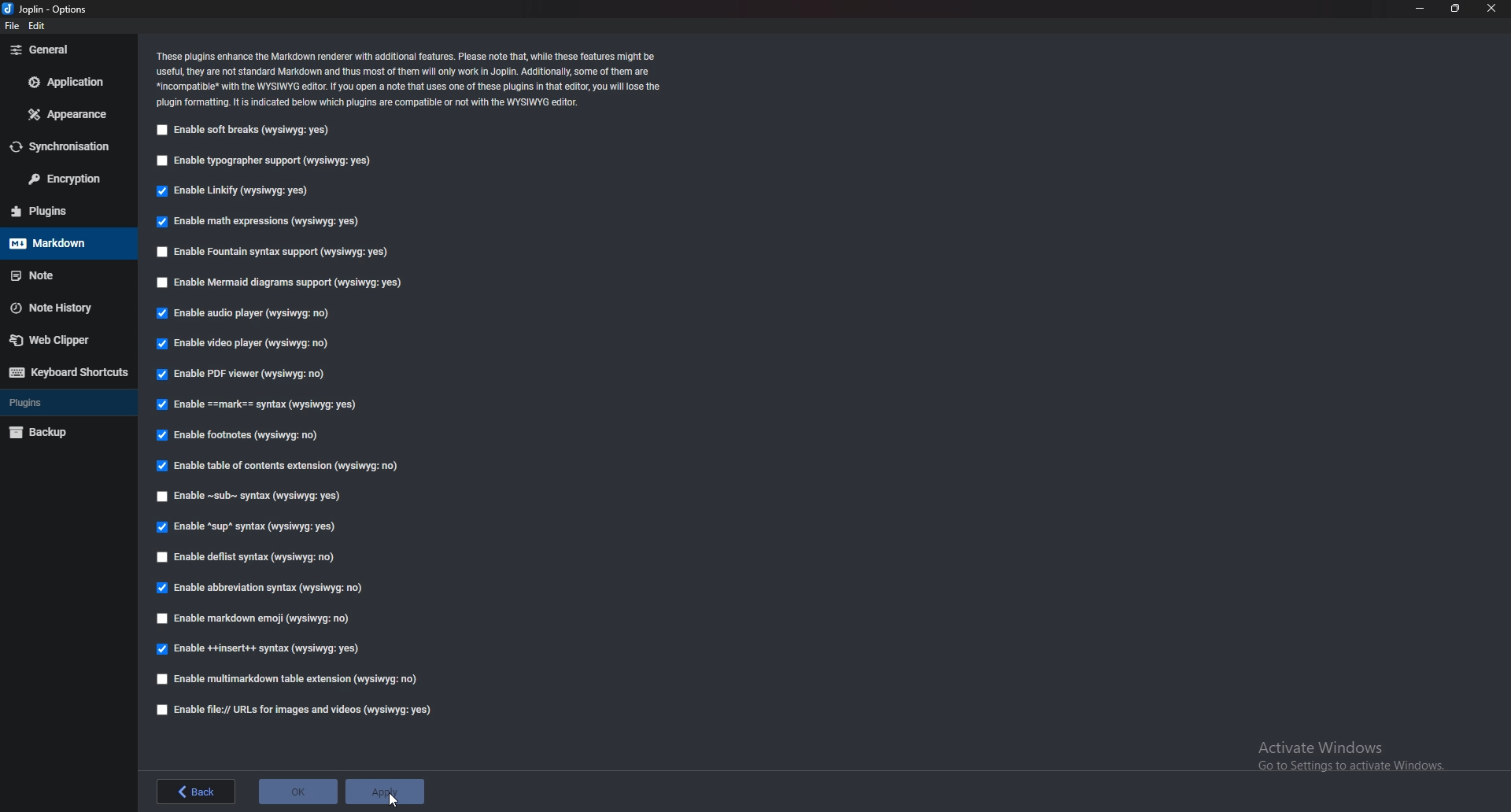  Describe the element at coordinates (67, 308) in the screenshot. I see `Note history` at that location.